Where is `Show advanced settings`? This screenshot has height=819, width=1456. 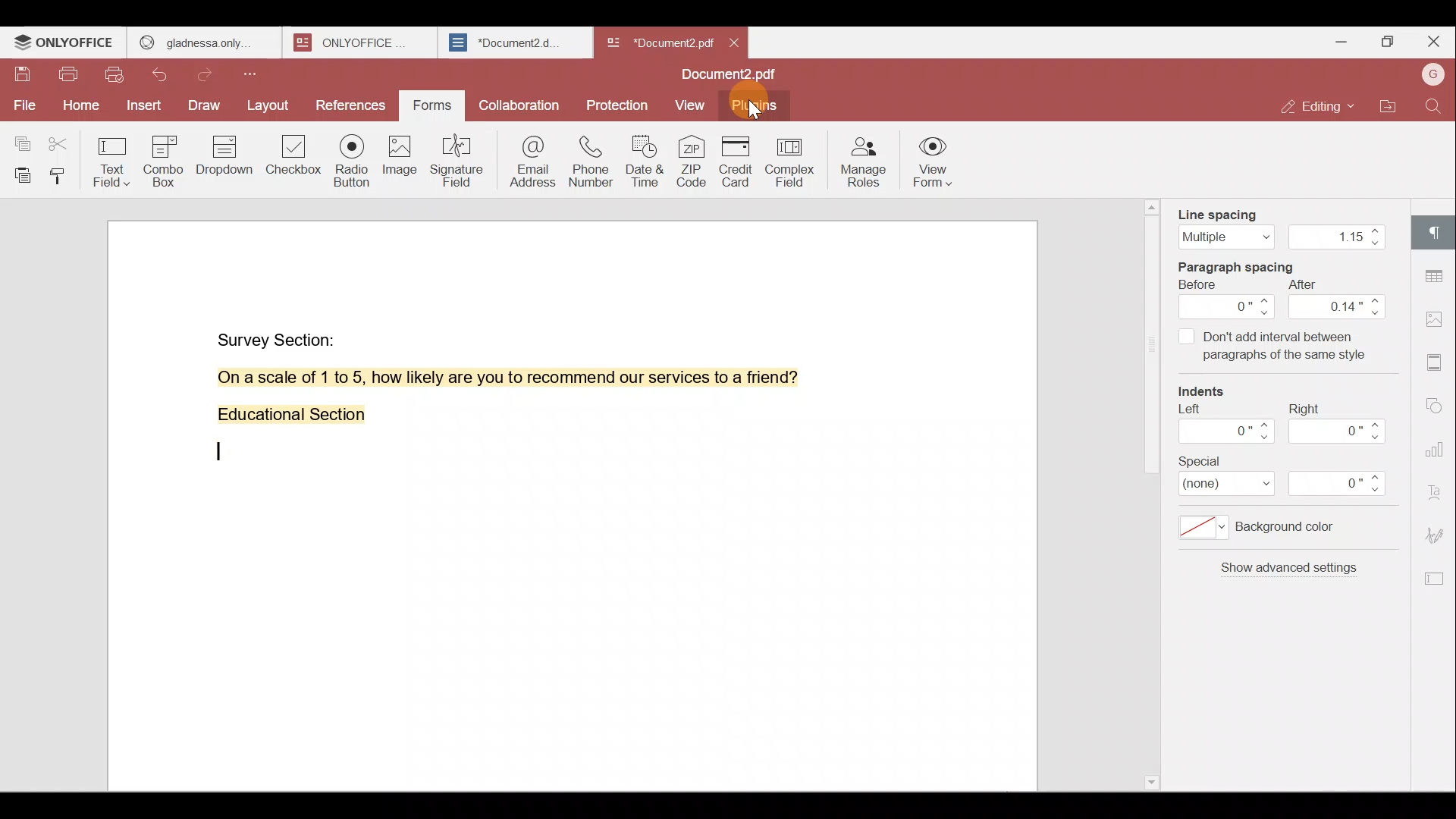
Show advanced settings is located at coordinates (1286, 574).